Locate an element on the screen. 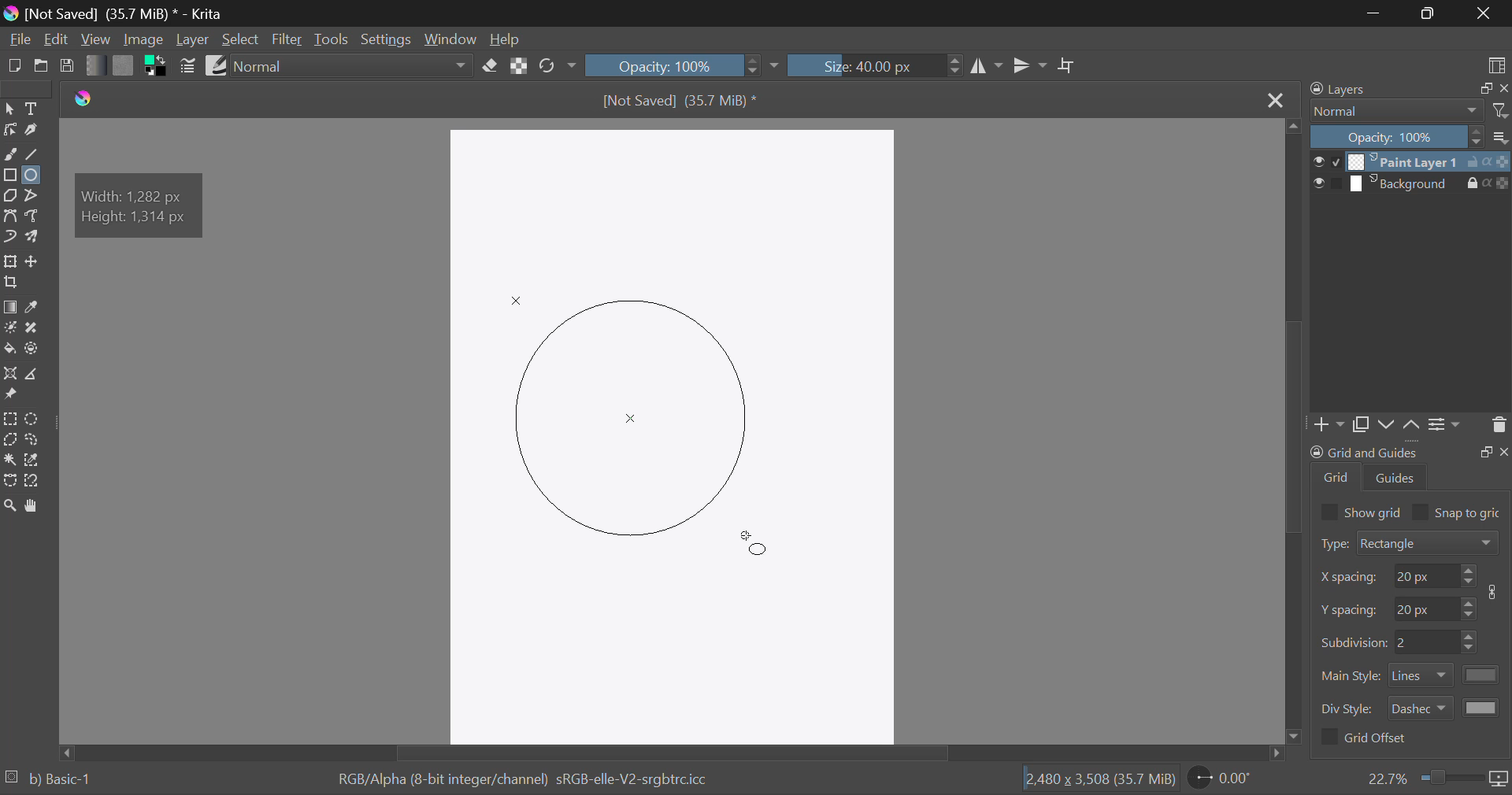 The image size is (1512, 795). Scroll Bar is located at coordinates (1296, 427).